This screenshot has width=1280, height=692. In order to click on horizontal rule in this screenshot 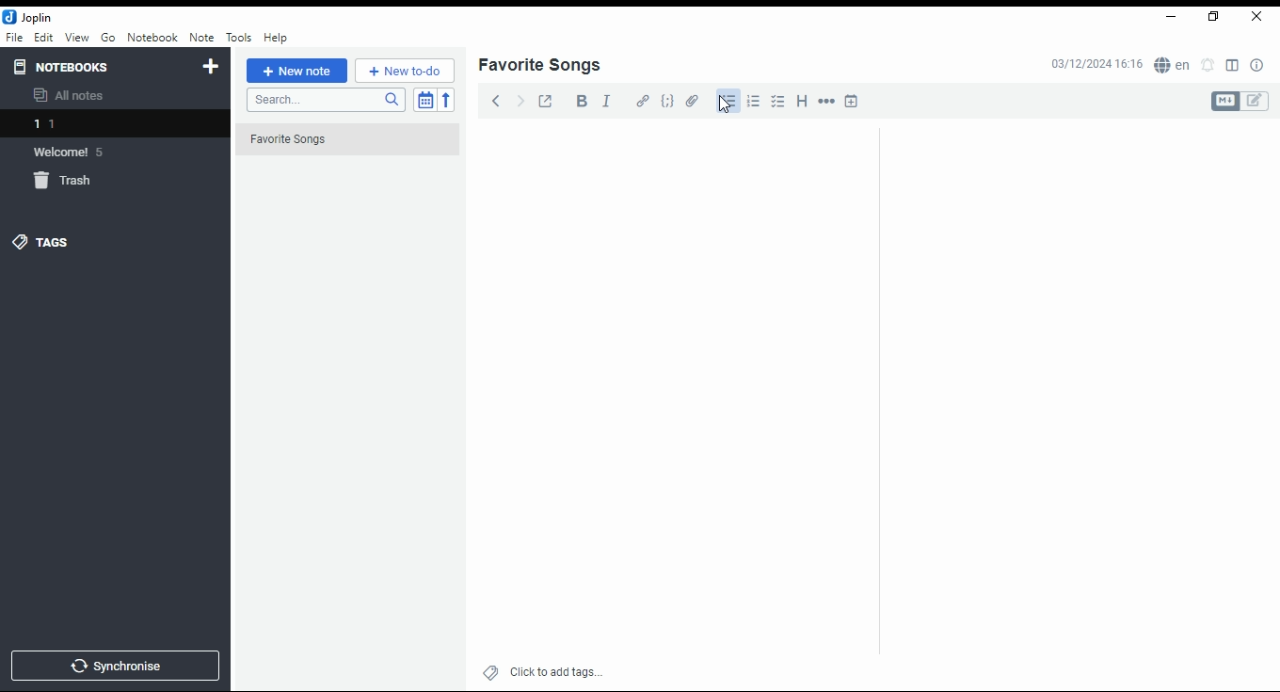, I will do `click(828, 100)`.